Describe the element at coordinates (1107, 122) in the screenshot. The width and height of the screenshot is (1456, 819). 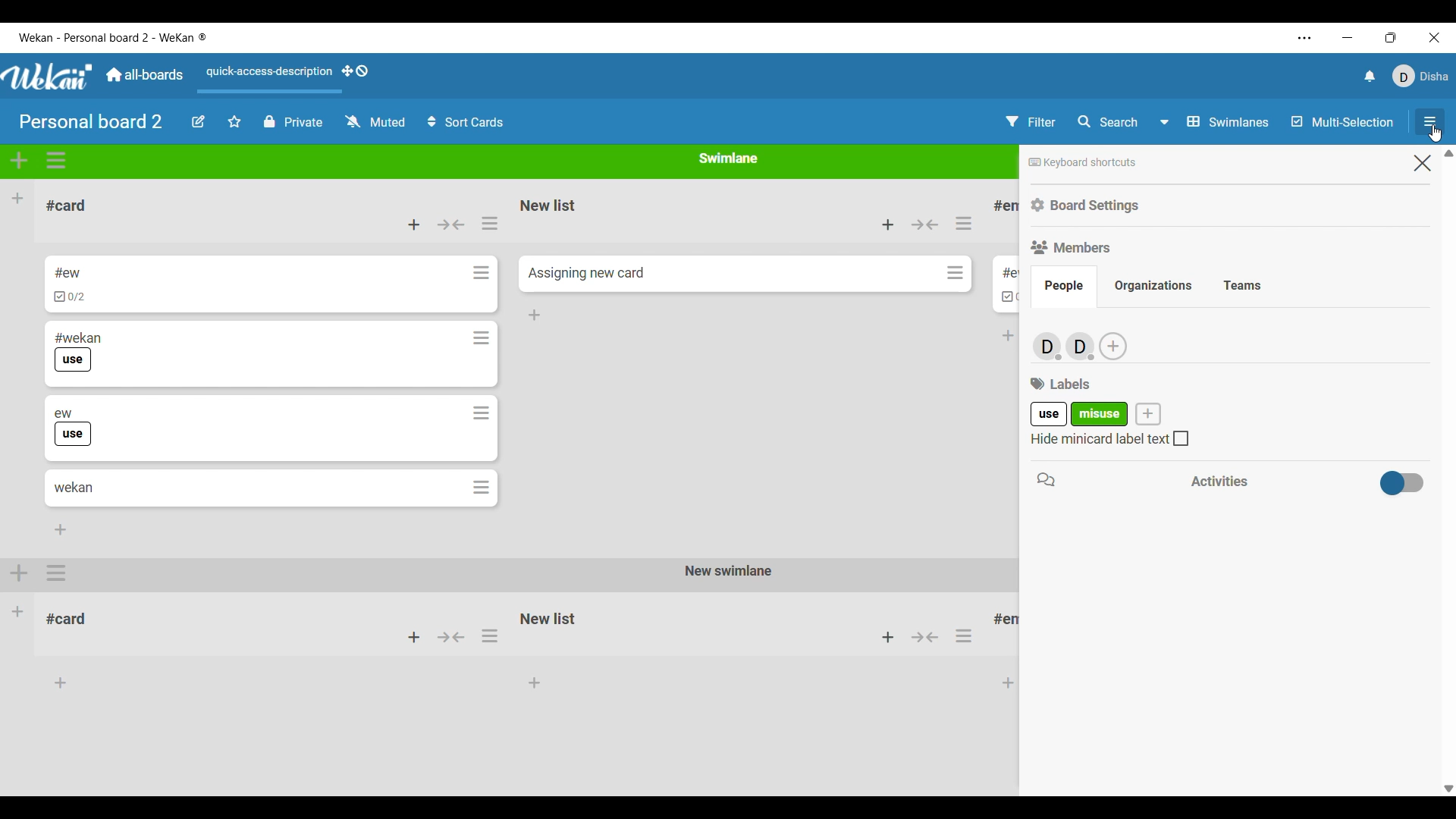
I see `Search` at that location.